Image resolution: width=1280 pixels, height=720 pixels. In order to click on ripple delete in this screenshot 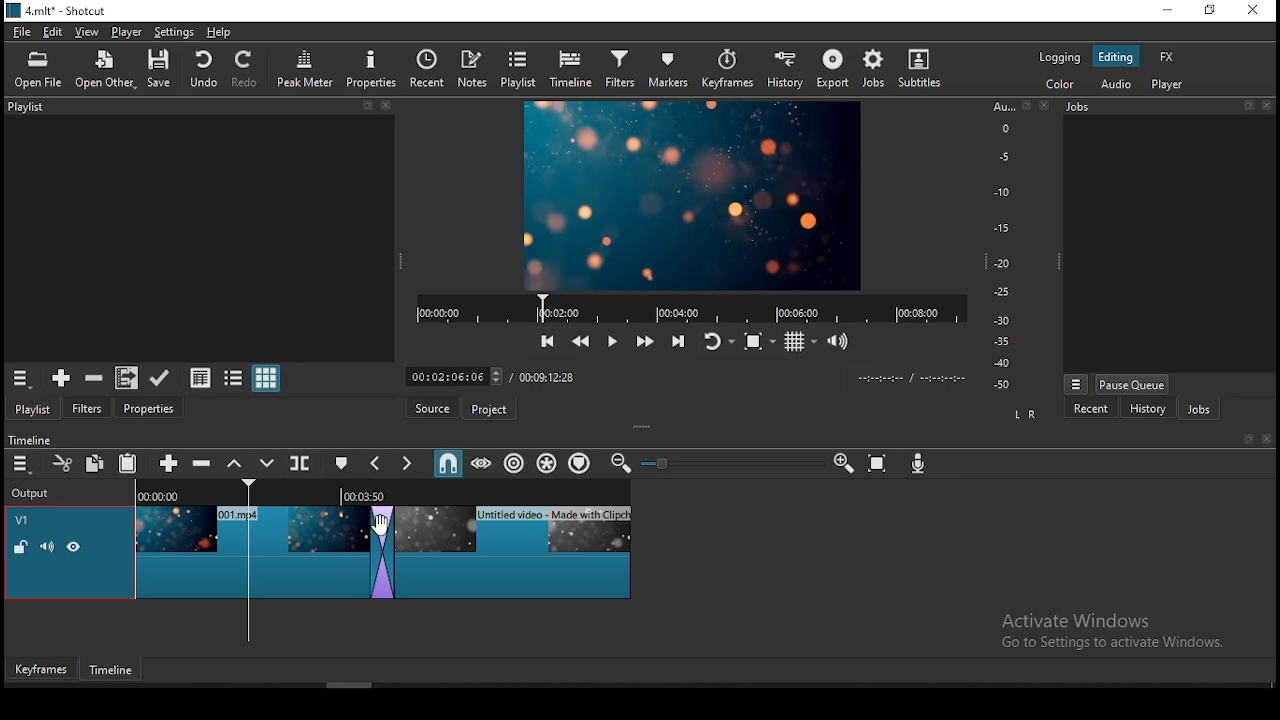, I will do `click(199, 463)`.